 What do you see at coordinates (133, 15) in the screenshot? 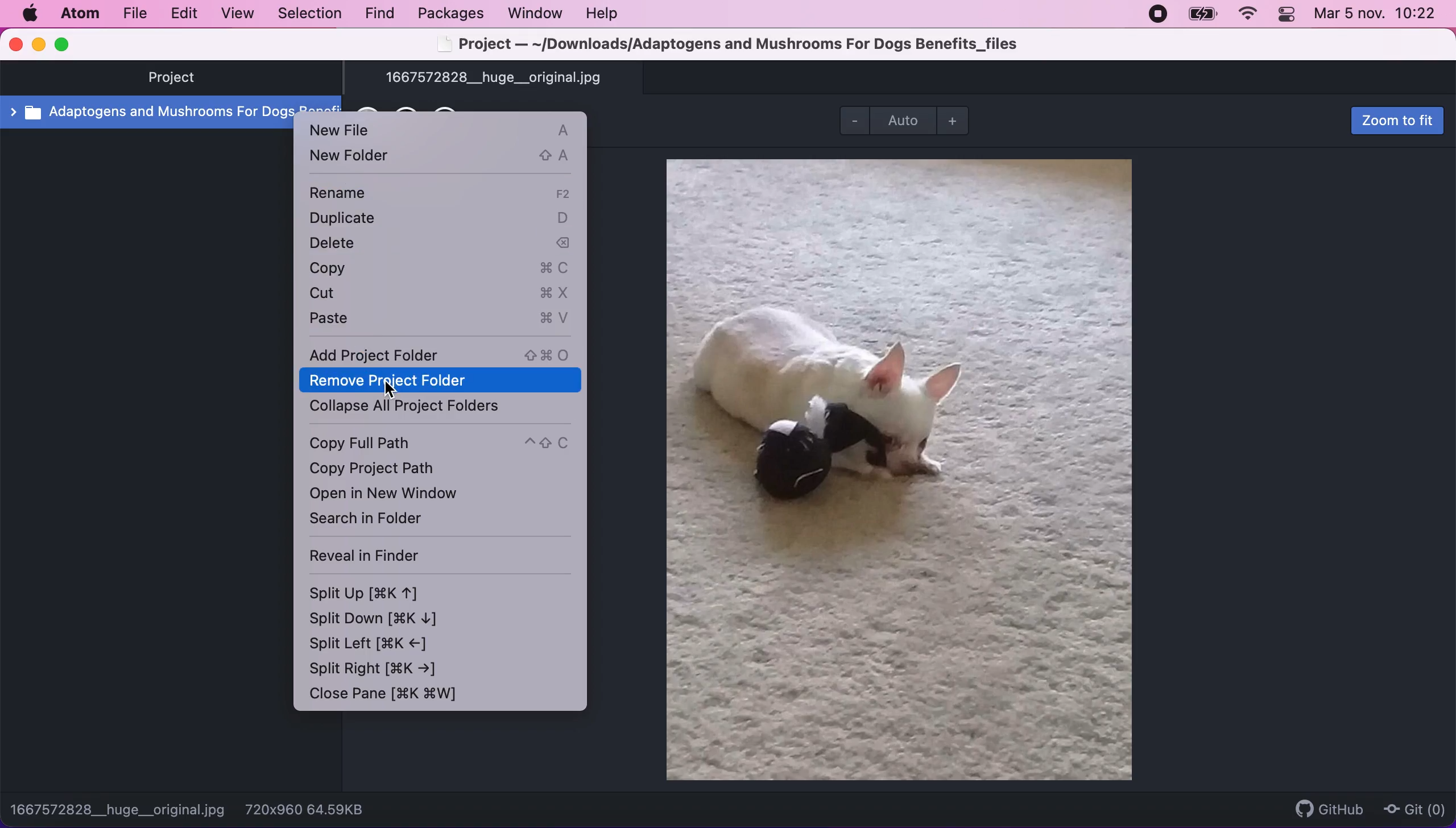
I see `file` at bounding box center [133, 15].